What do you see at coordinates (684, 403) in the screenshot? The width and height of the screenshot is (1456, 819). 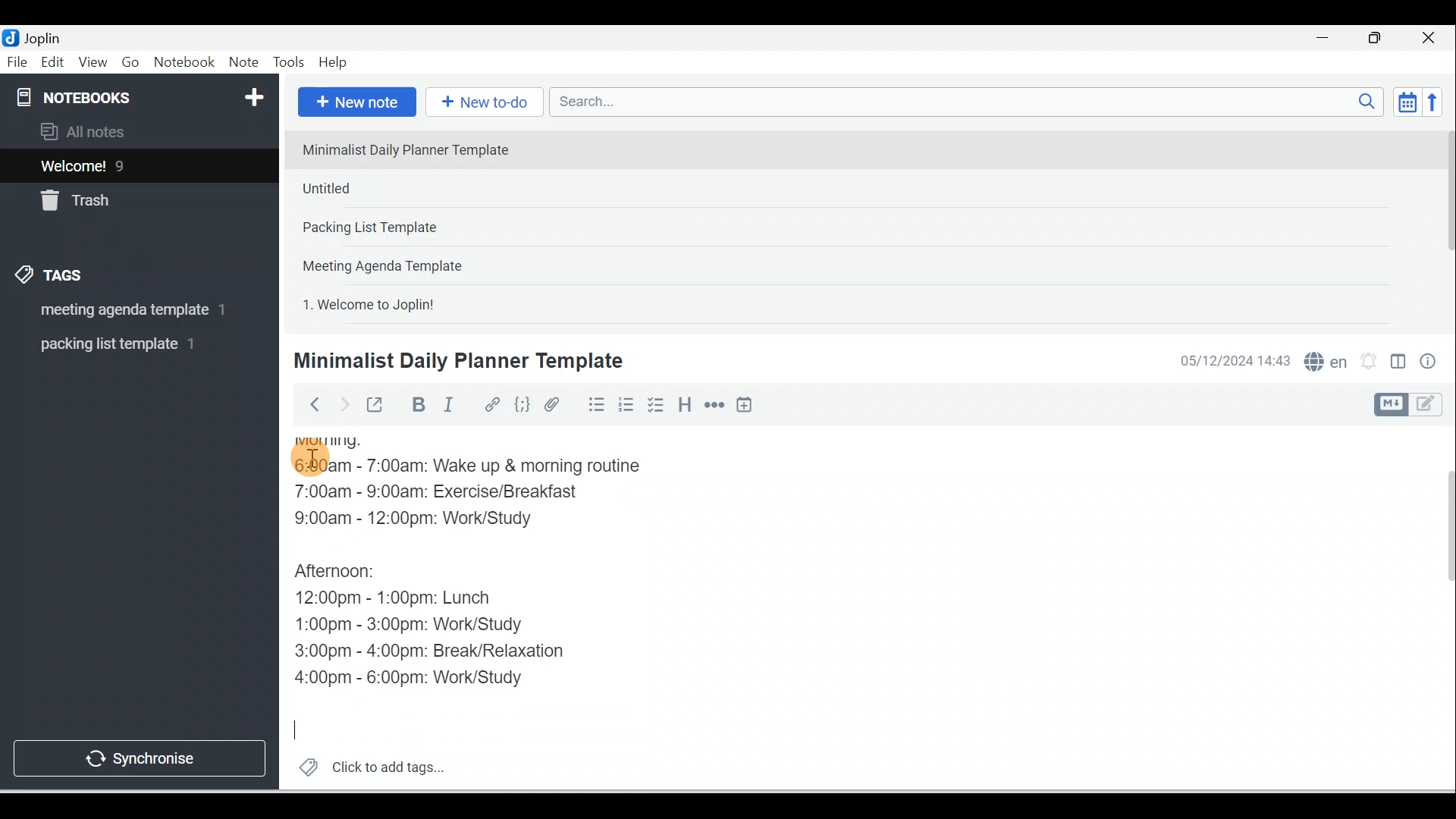 I see `Heading` at bounding box center [684, 403].